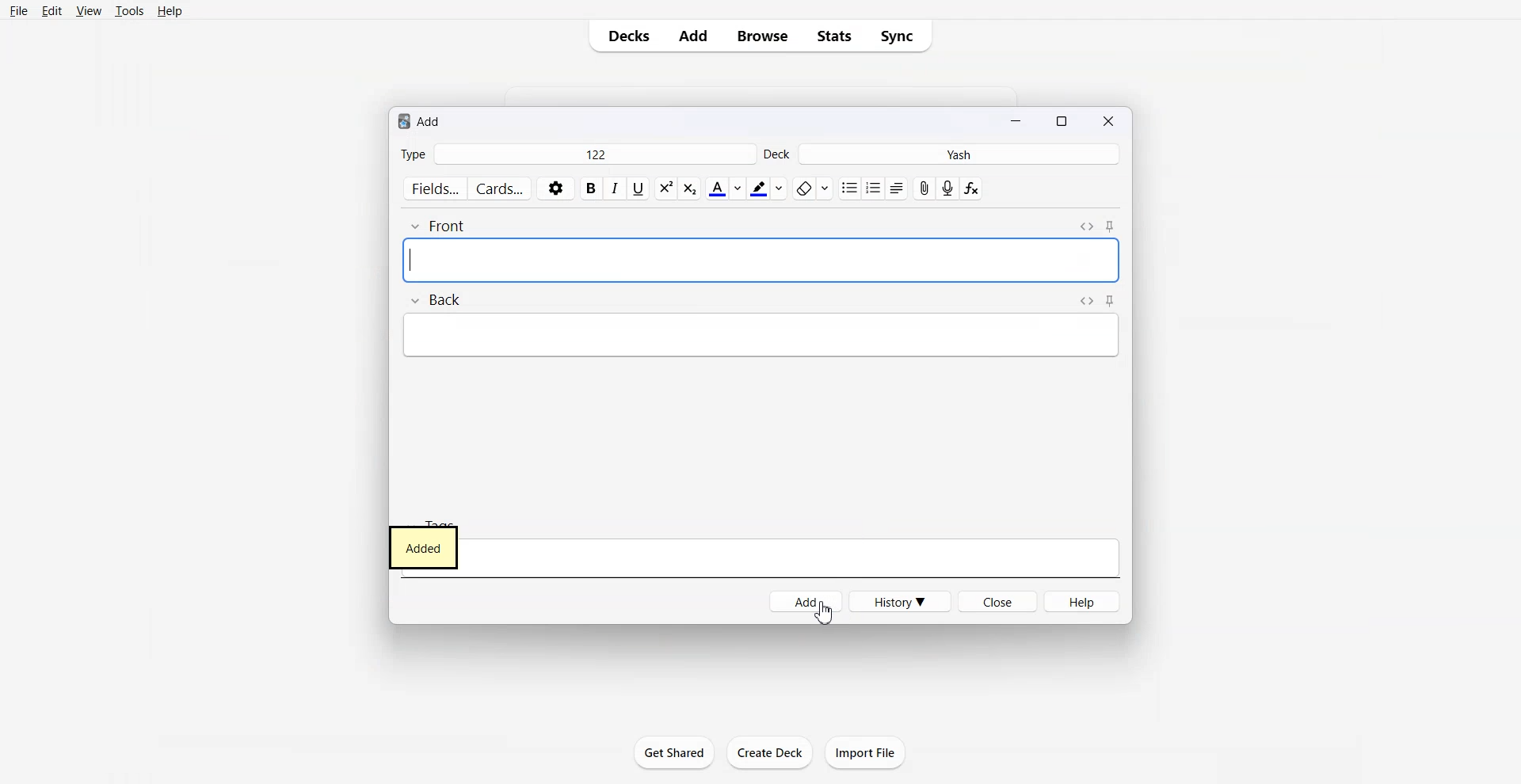 The width and height of the screenshot is (1521, 784). What do you see at coordinates (806, 602) in the screenshot?
I see `Add` at bounding box center [806, 602].